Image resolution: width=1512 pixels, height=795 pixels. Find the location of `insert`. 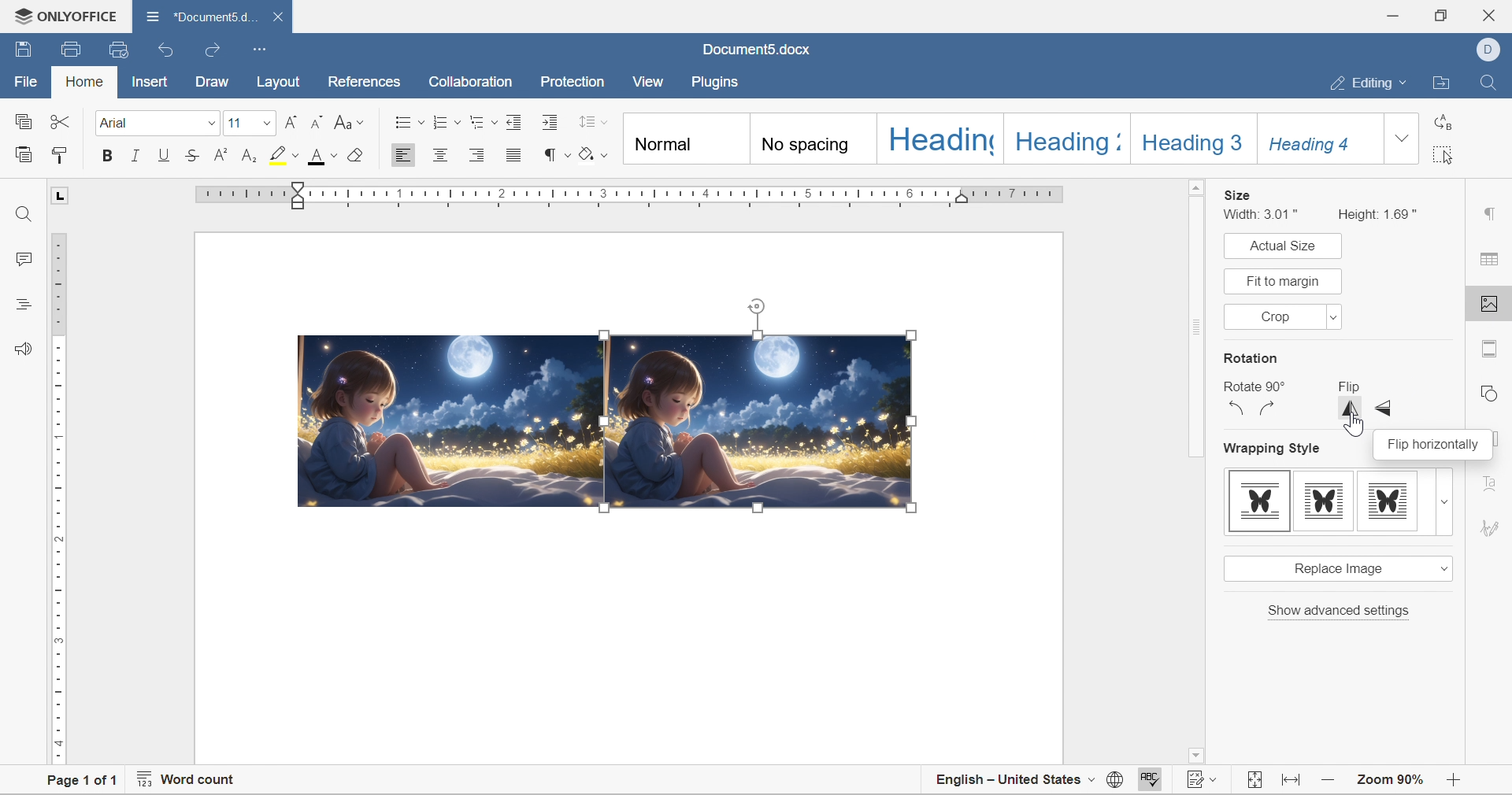

insert is located at coordinates (150, 83).